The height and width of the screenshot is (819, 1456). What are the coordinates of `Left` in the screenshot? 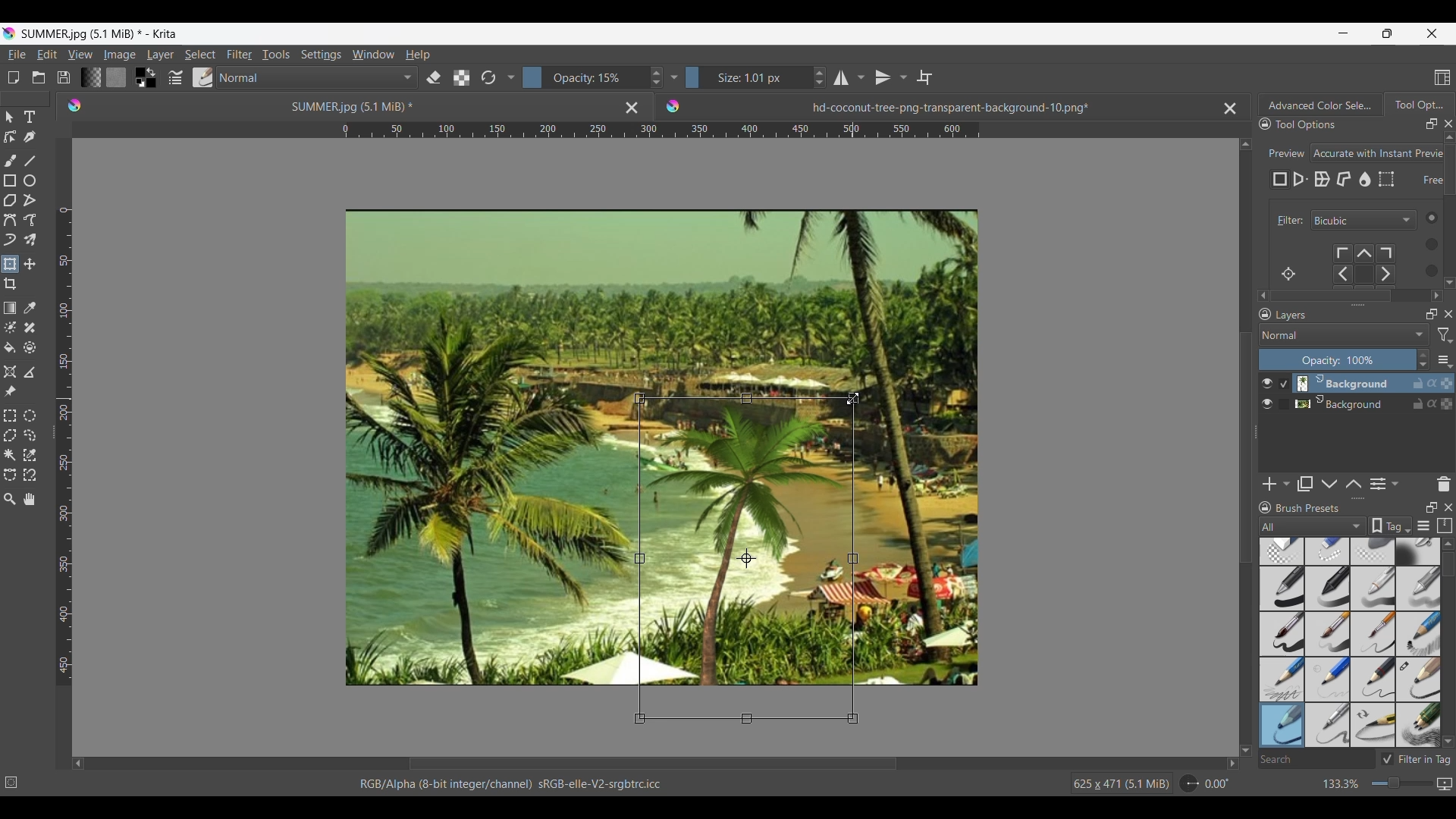 It's located at (78, 763).